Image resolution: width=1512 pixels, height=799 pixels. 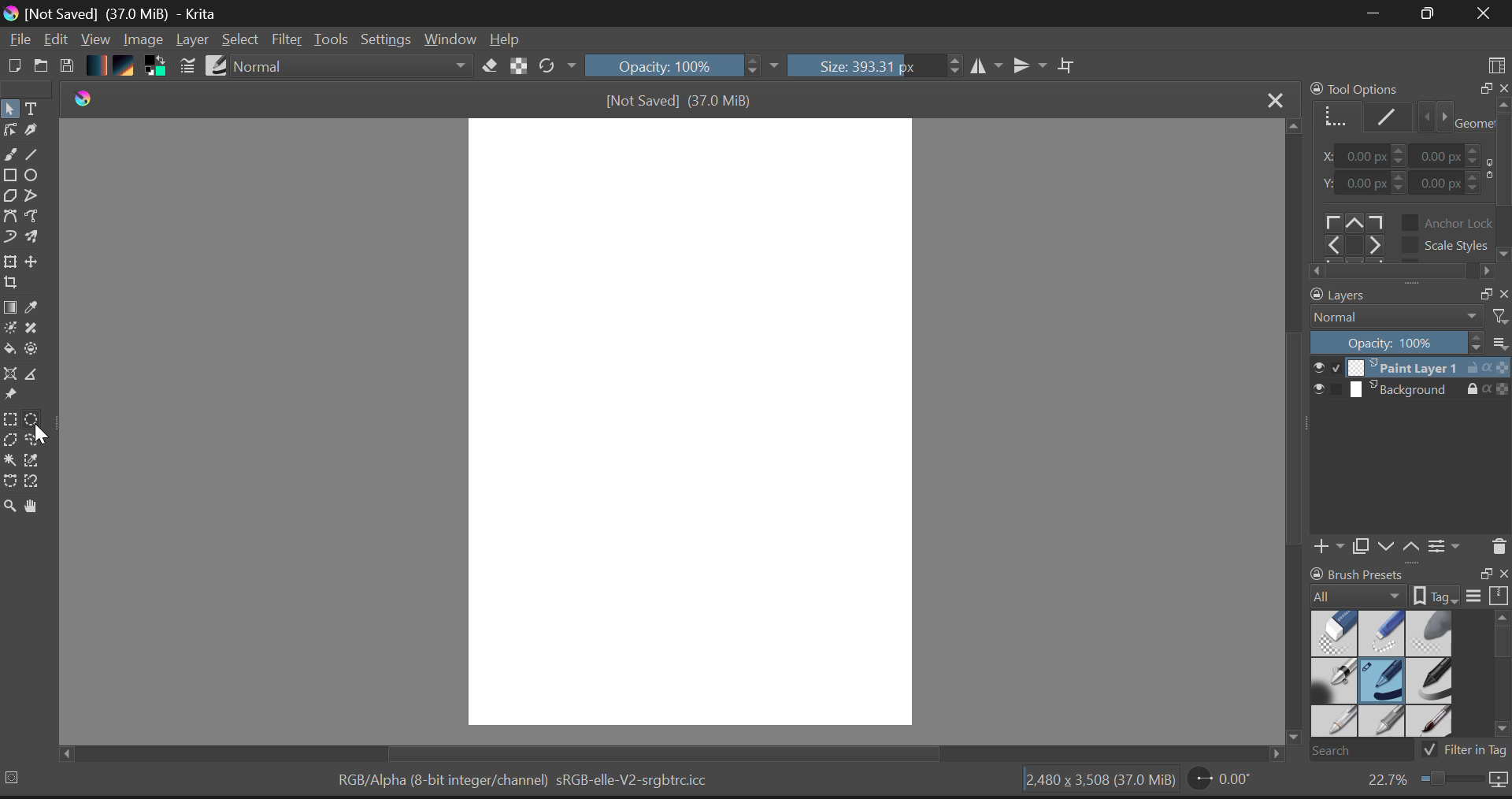 I want to click on Edit shapes, so click(x=9, y=132).